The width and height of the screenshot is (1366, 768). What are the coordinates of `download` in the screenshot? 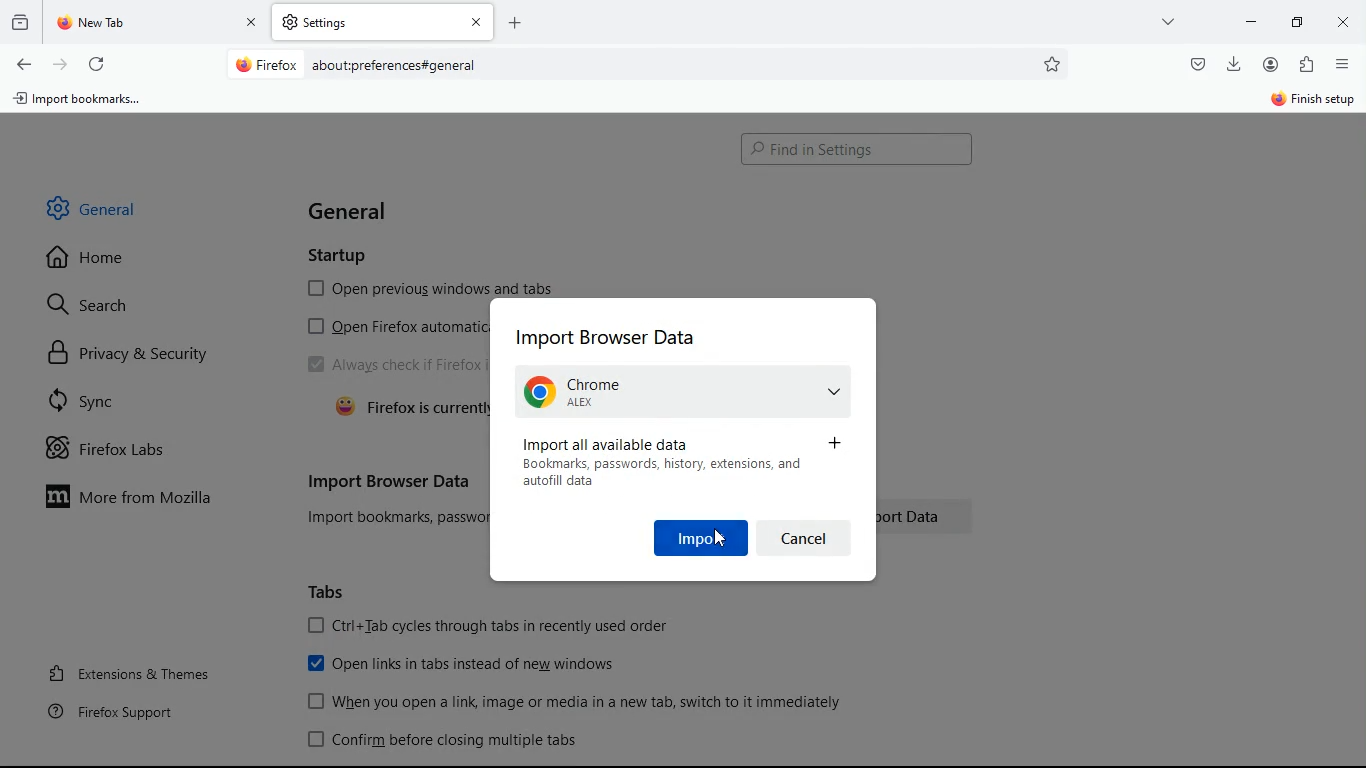 It's located at (1235, 64).